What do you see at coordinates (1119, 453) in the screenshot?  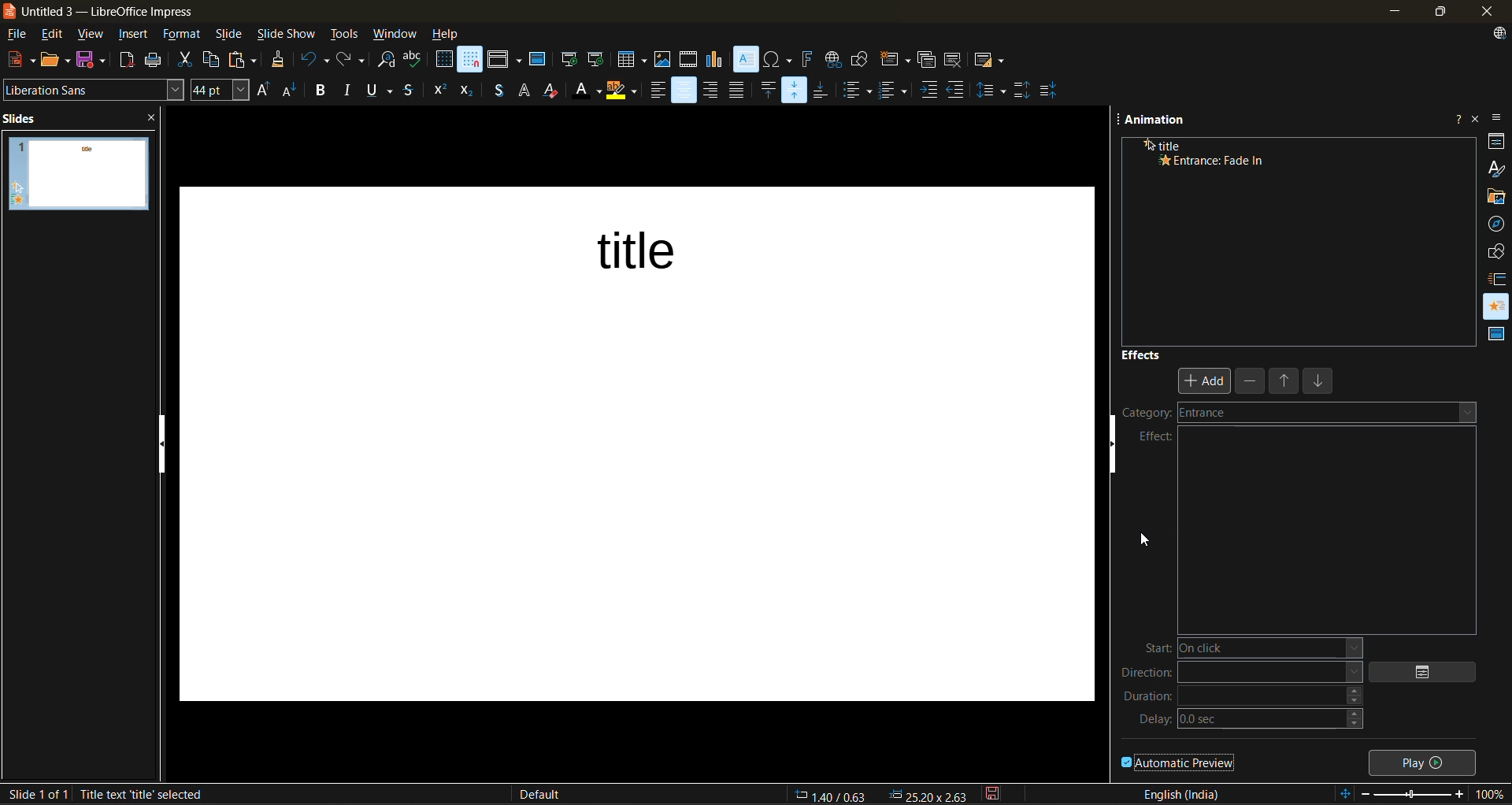 I see `hide` at bounding box center [1119, 453].